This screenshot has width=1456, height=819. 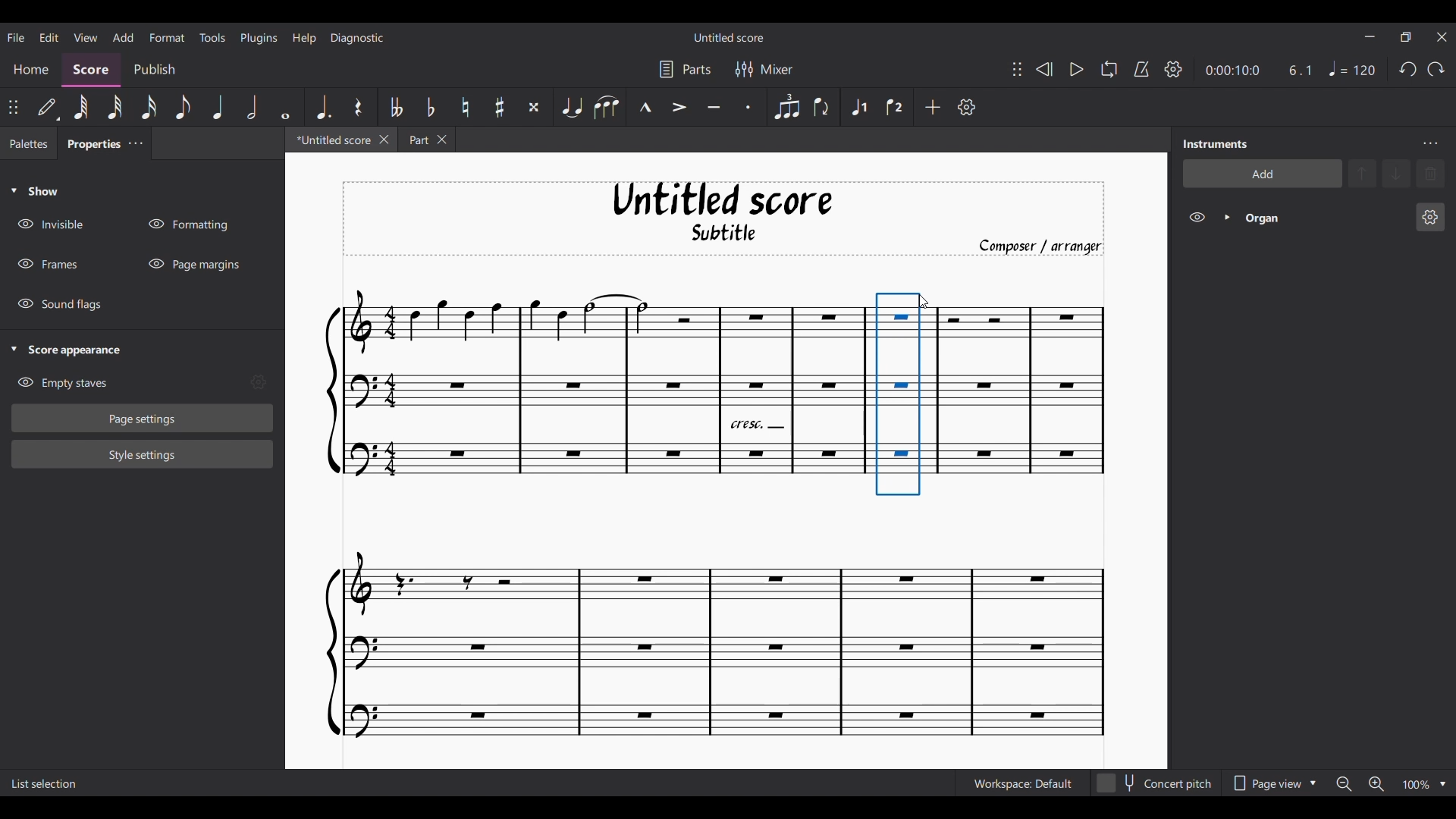 I want to click on Default, so click(x=48, y=107).